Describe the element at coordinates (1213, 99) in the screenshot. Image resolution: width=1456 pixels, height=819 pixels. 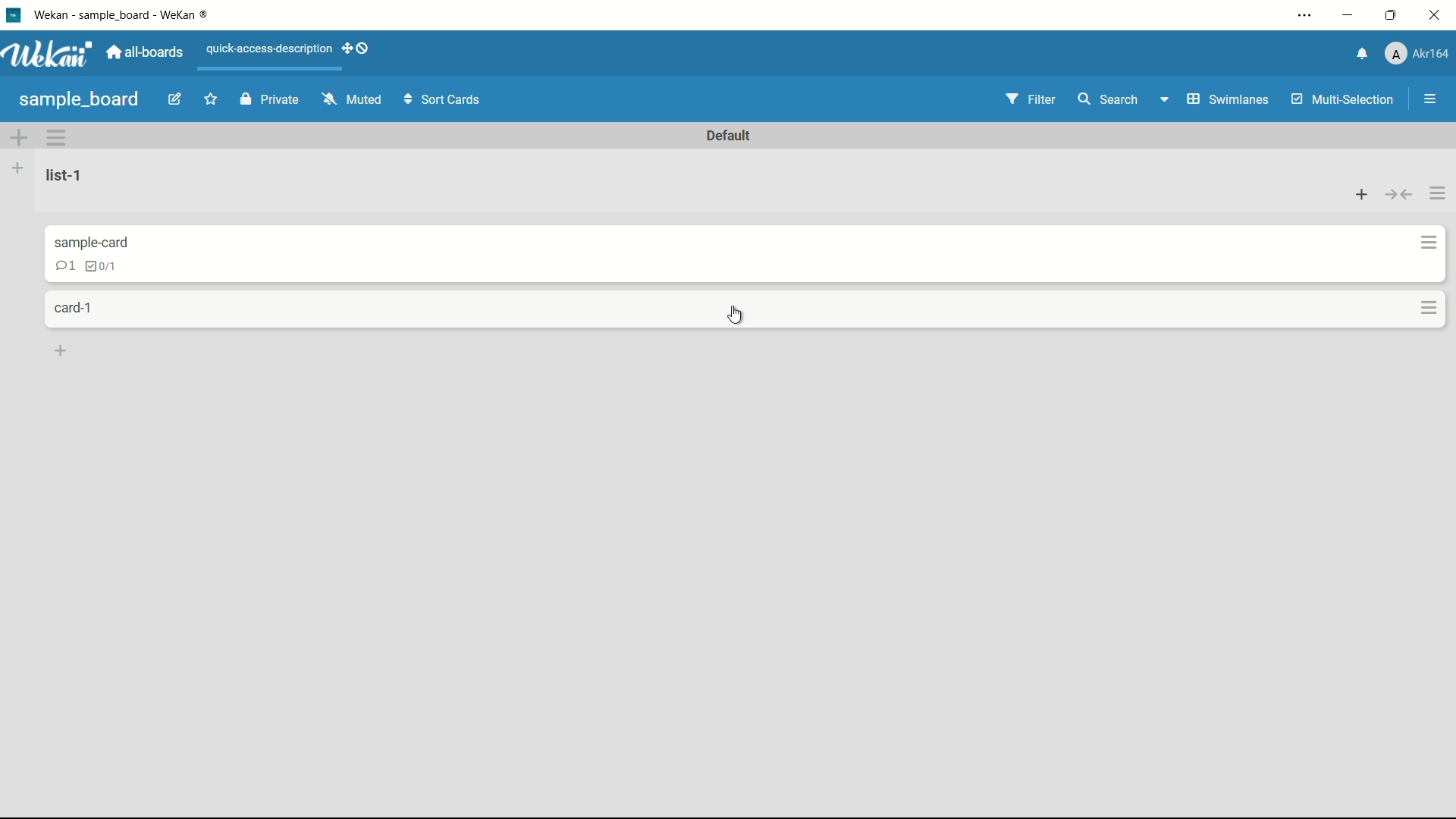
I see `swimlanes` at that location.